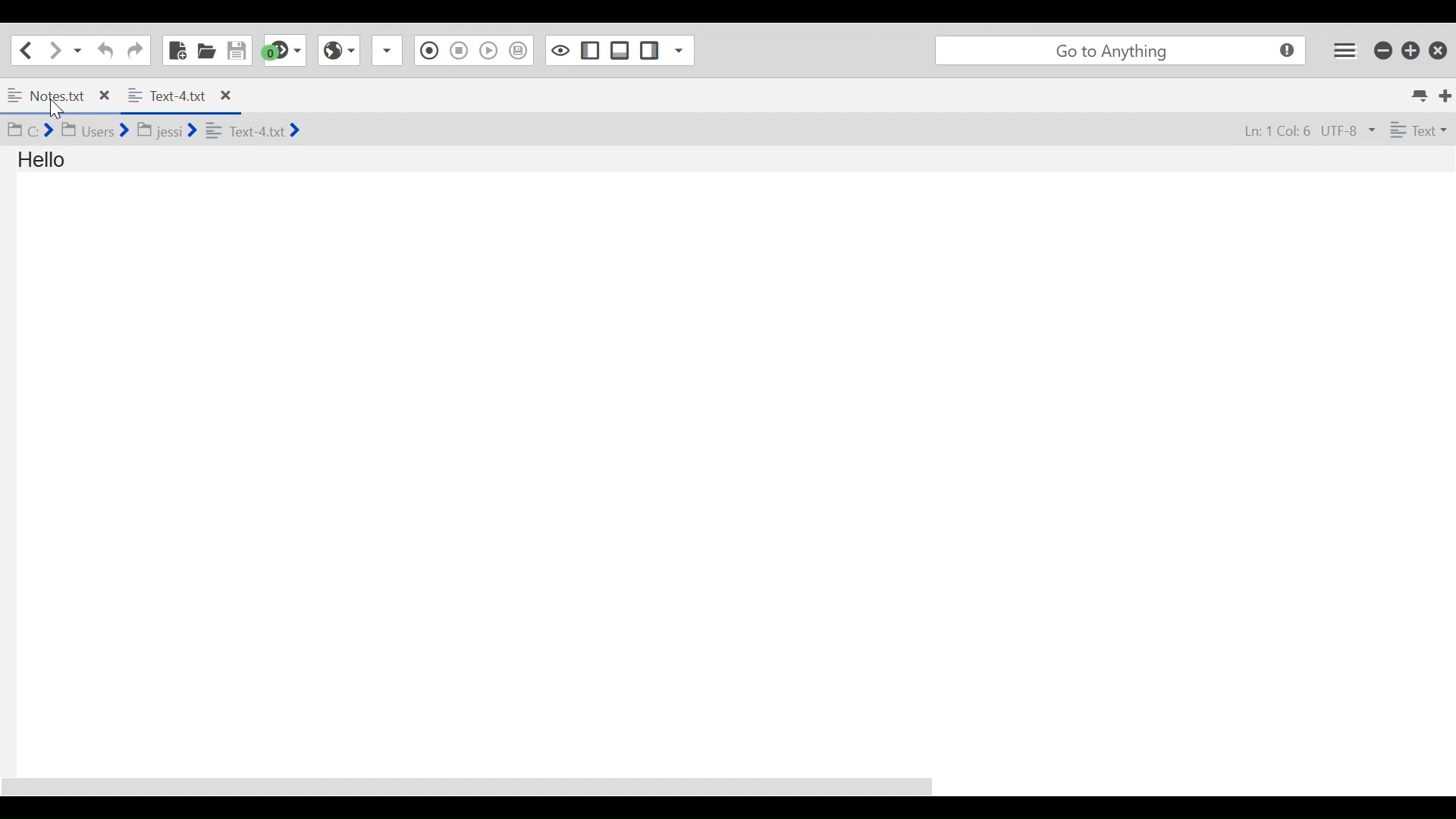 The height and width of the screenshot is (819, 1456). What do you see at coordinates (25, 49) in the screenshot?
I see `Go back one loaction` at bounding box center [25, 49].